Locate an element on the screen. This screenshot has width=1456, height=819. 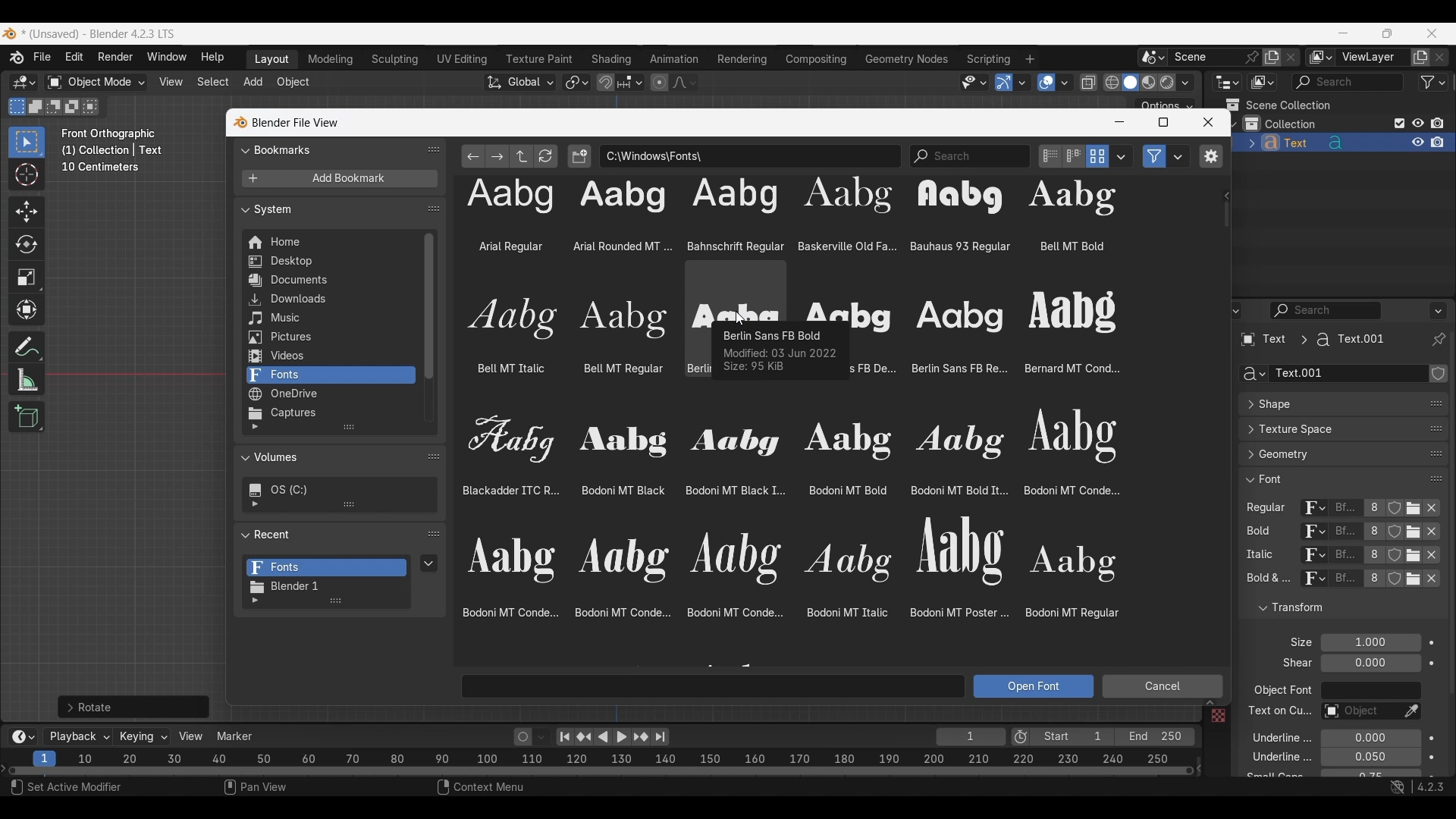
Play animation is located at coordinates (611, 737).